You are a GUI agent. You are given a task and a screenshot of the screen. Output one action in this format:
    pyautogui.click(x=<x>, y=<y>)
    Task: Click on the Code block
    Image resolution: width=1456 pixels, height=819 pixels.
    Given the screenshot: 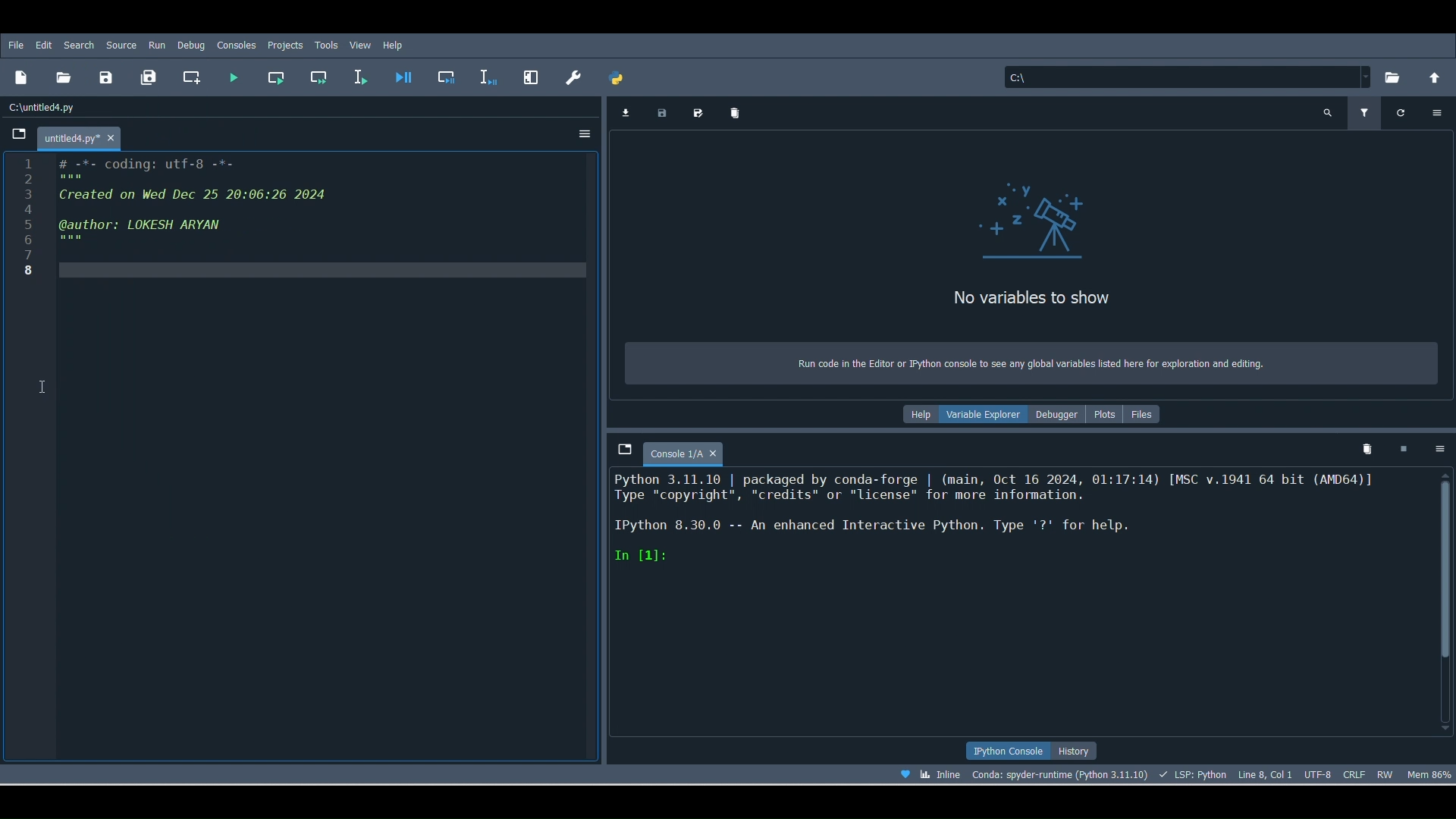 What is the action you would take?
    pyautogui.click(x=303, y=460)
    